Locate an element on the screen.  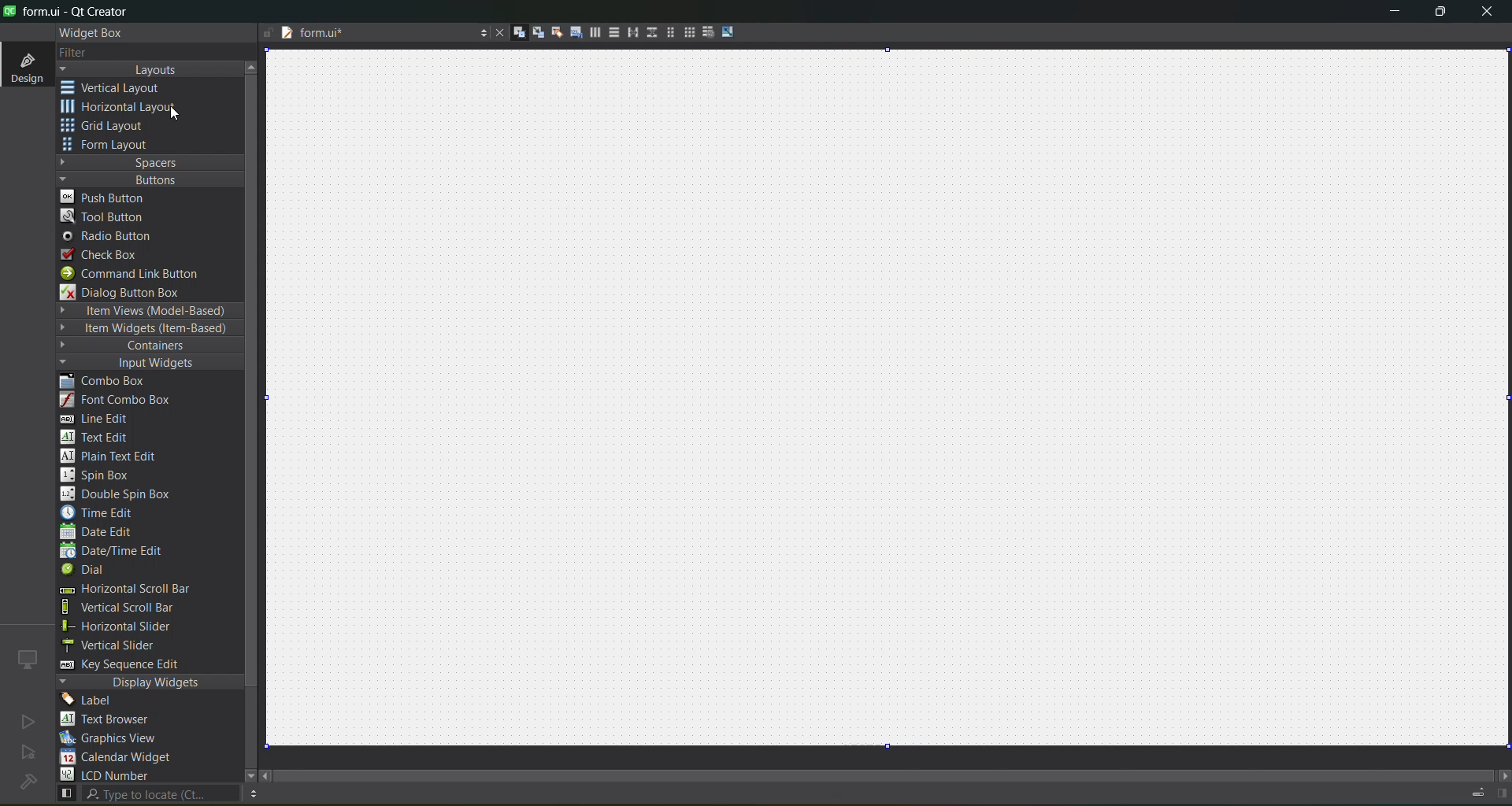
move up is located at coordinates (254, 65).